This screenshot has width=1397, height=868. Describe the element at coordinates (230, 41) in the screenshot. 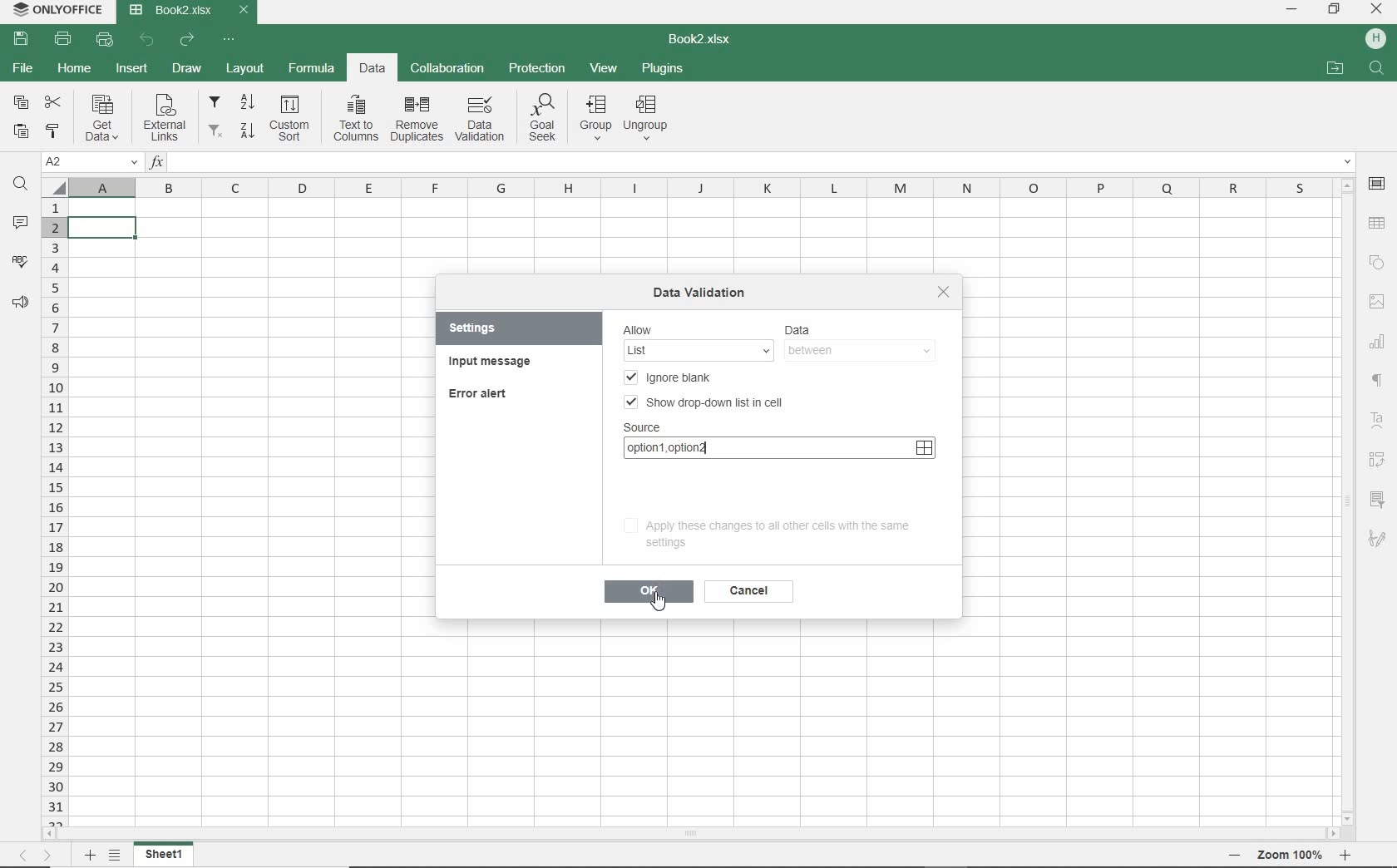

I see `CUSTOMIZE QUICK ACCESS TOOLBAR` at that location.